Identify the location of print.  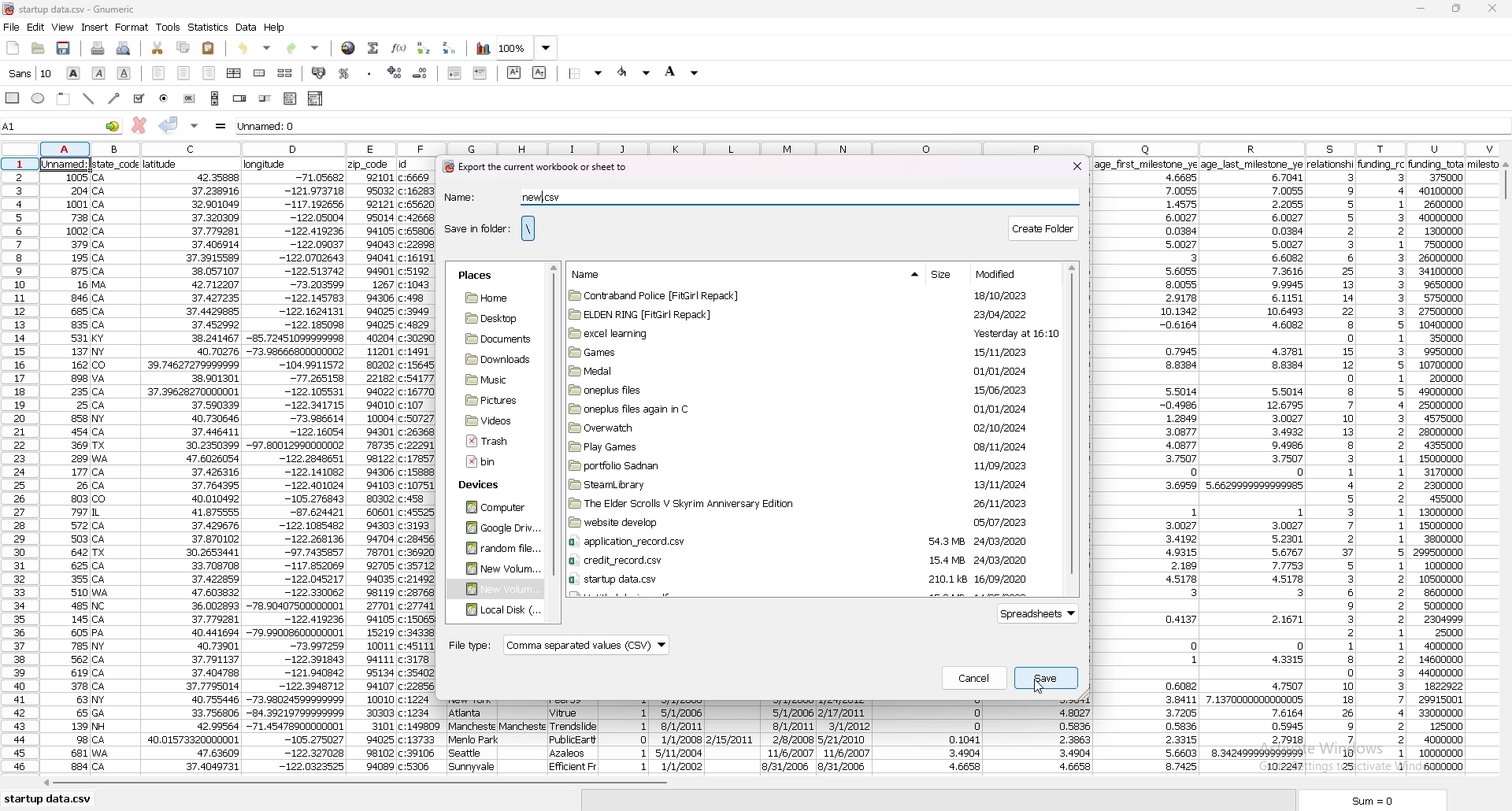
(97, 49).